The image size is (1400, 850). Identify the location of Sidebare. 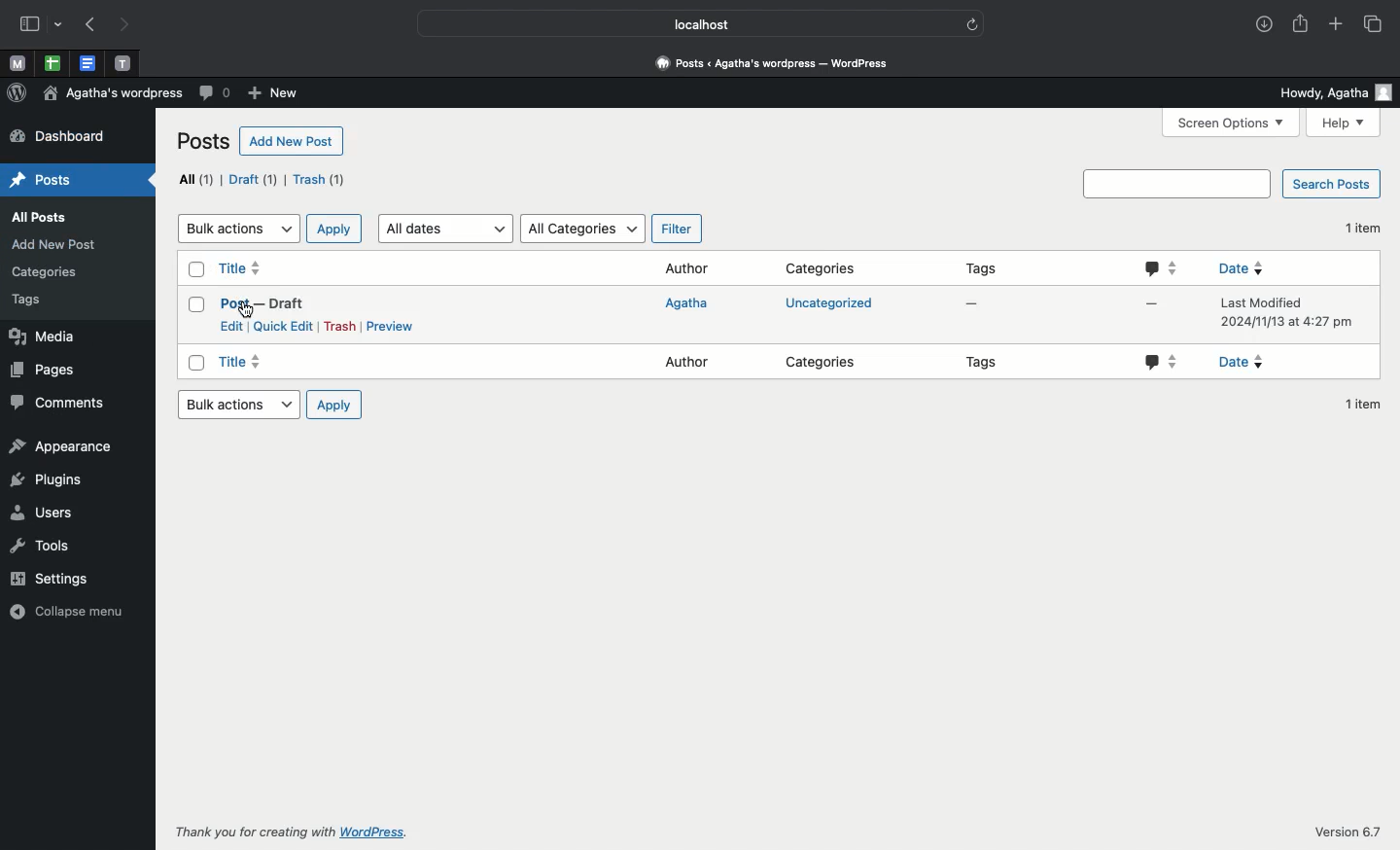
(30, 26).